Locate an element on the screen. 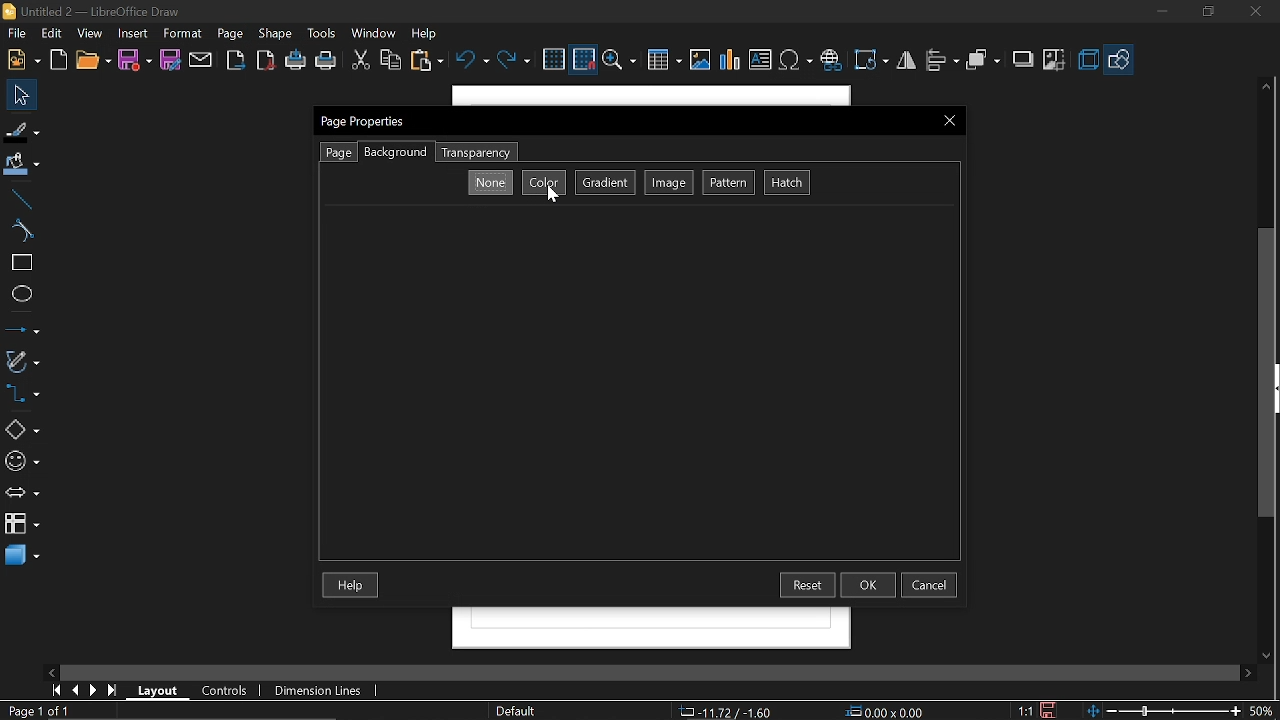 The image size is (1280, 720). RectANGLE is located at coordinates (19, 263).